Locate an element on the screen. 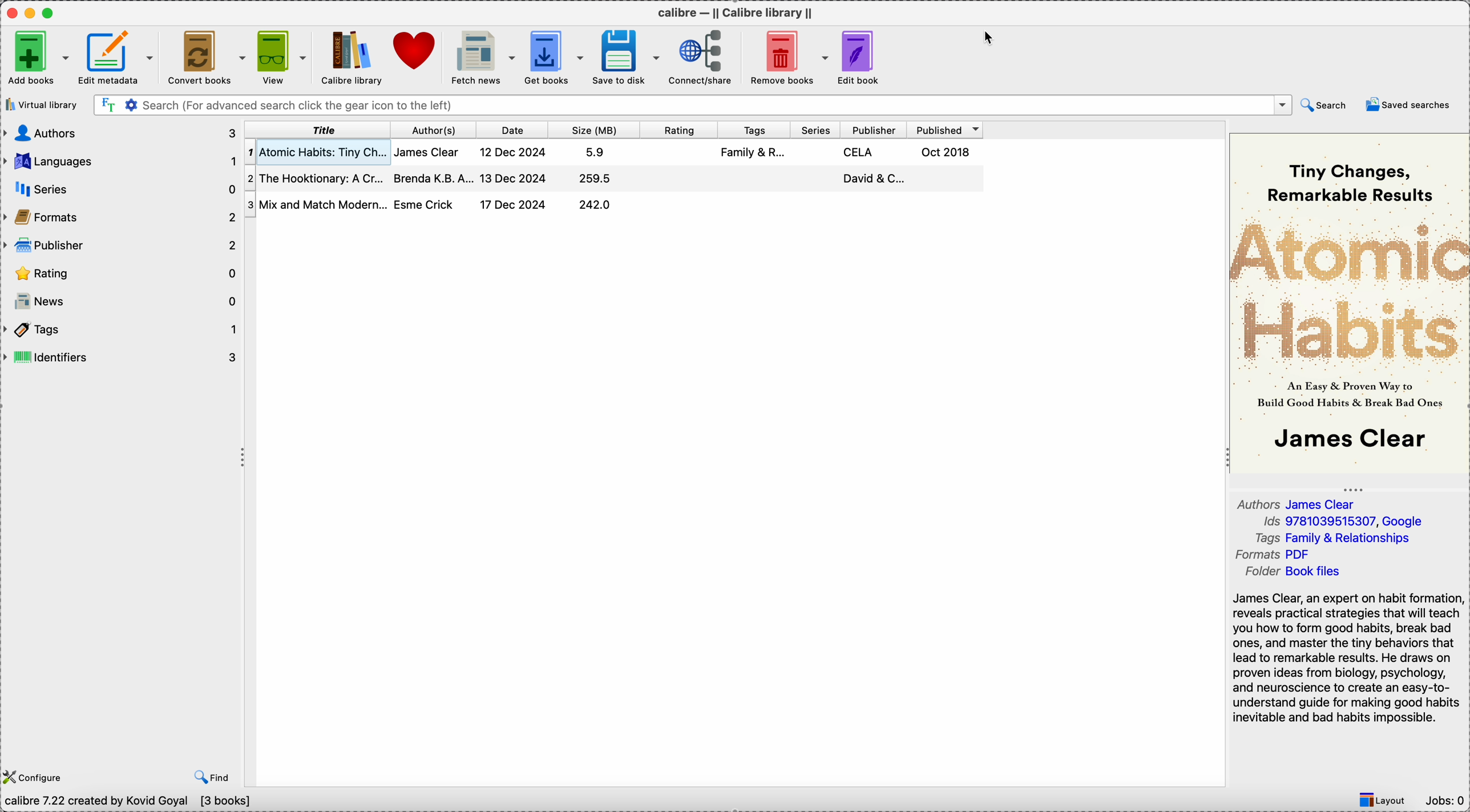  Oct 2018 is located at coordinates (948, 151).